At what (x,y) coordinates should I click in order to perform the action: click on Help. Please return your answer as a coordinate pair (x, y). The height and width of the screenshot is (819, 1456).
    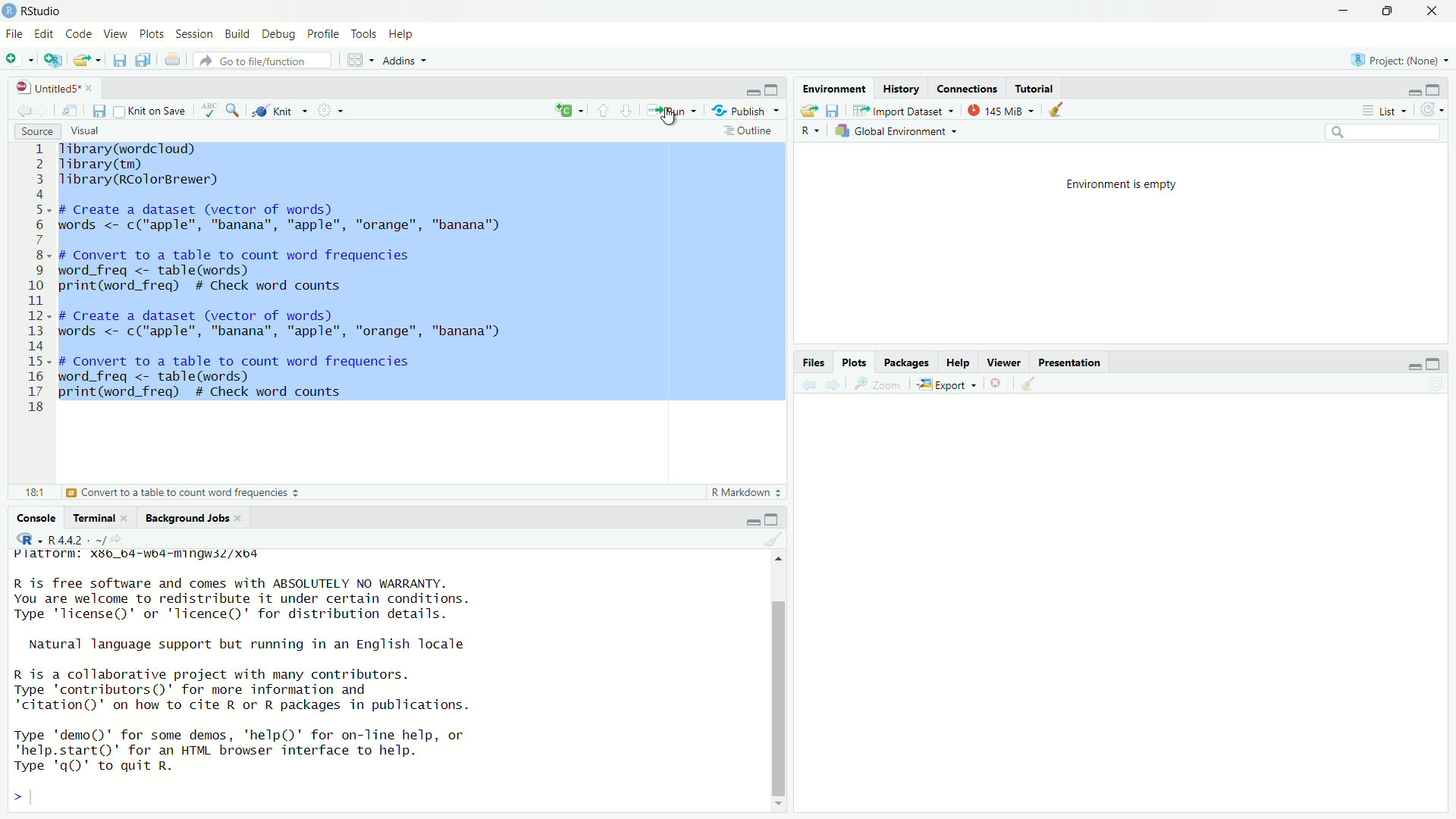
    Looking at the image, I should click on (959, 362).